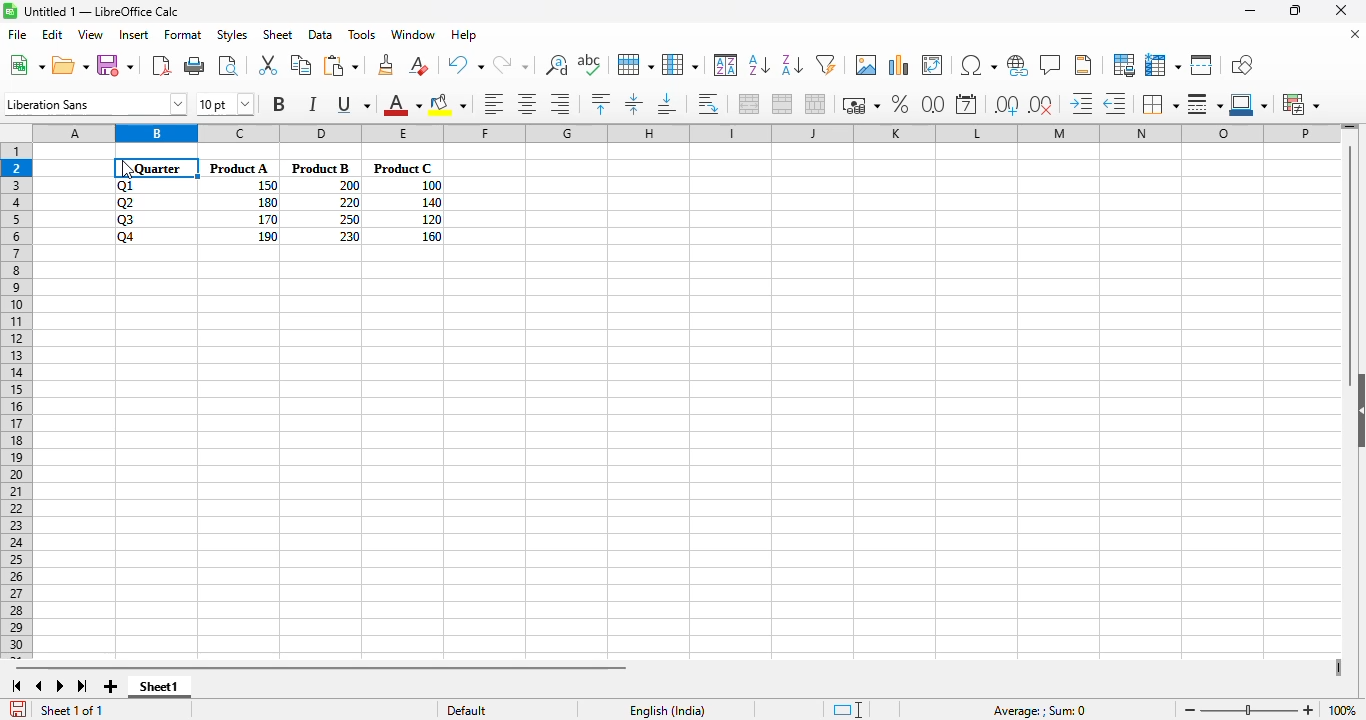  Describe the element at coordinates (267, 236) in the screenshot. I see `190` at that location.